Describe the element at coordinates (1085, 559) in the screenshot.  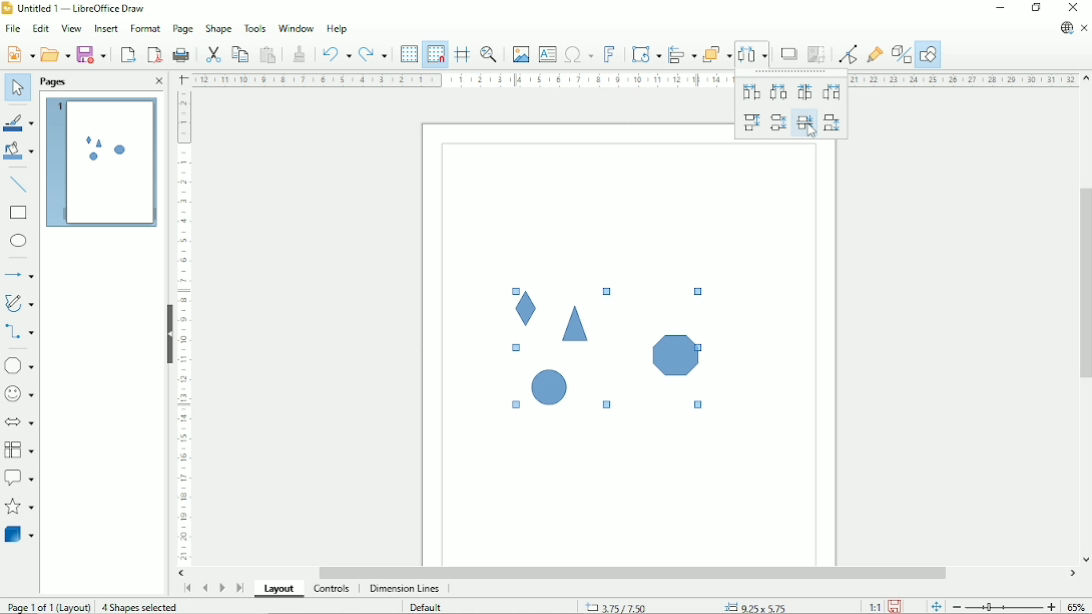
I see `Vertical scroll button` at that location.